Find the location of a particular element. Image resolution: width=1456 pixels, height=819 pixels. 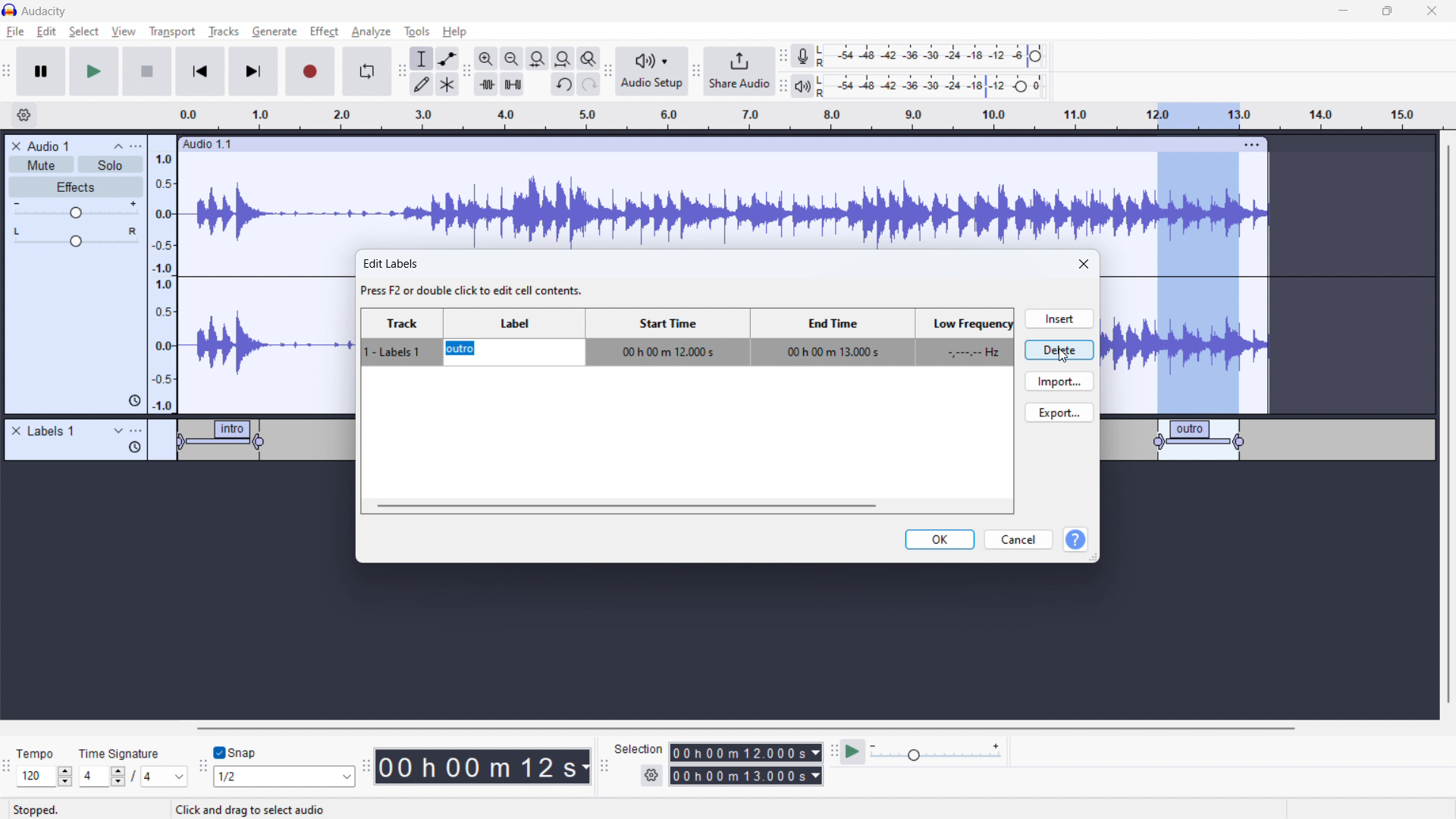

tools toolbar is located at coordinates (402, 71).